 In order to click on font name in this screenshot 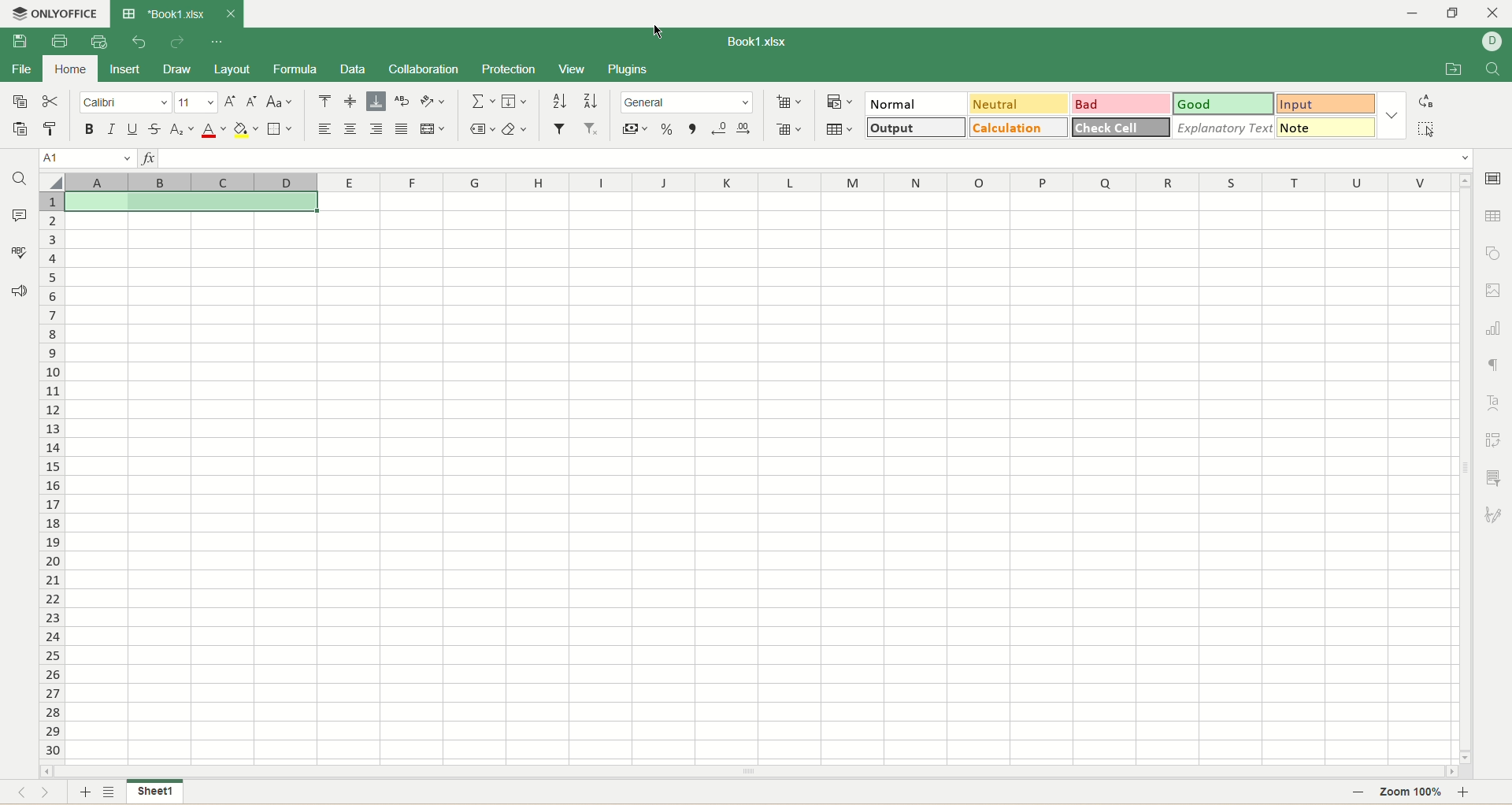, I will do `click(124, 102)`.